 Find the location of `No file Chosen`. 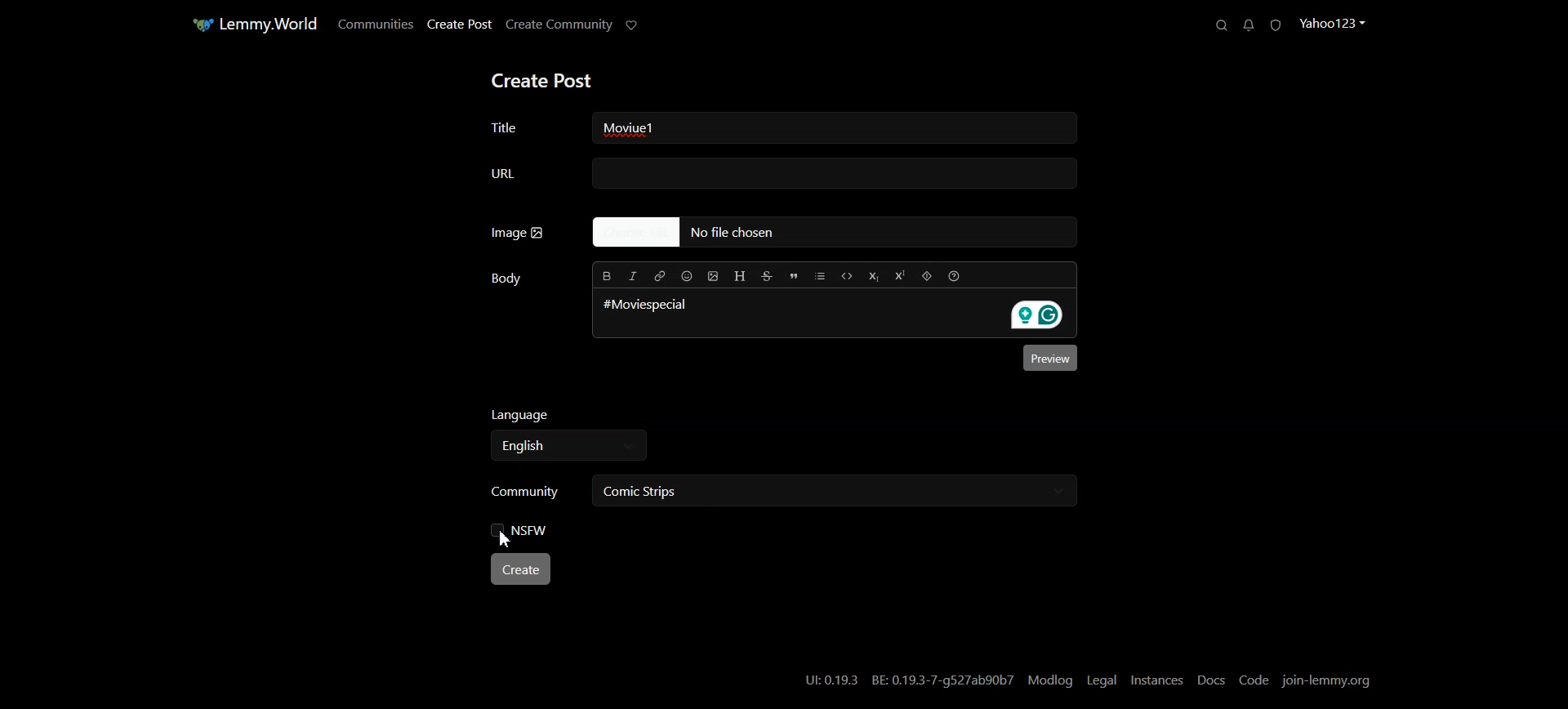

No file Chosen is located at coordinates (825, 233).